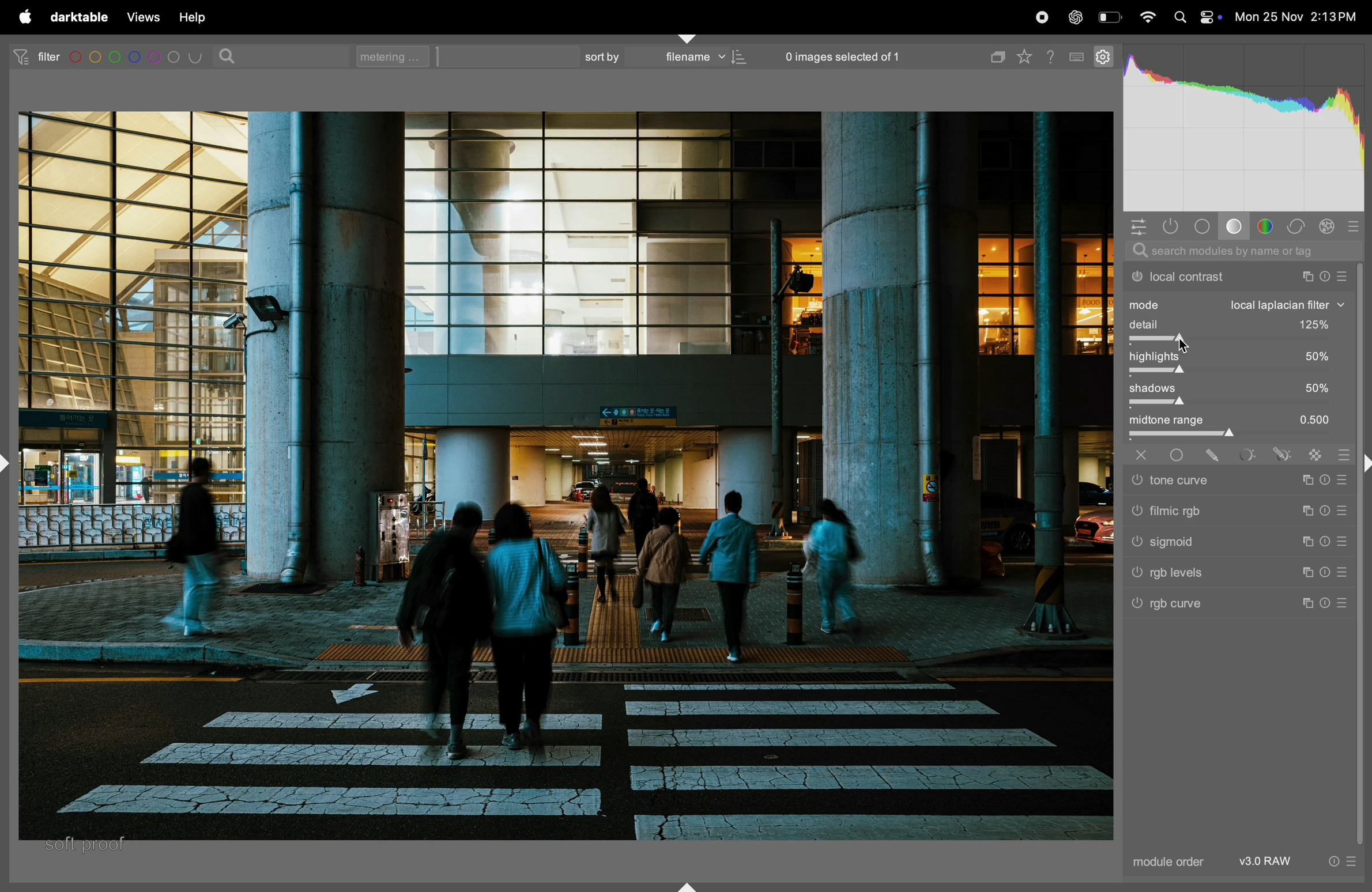  Describe the element at coordinates (1238, 388) in the screenshot. I see `shadows` at that location.